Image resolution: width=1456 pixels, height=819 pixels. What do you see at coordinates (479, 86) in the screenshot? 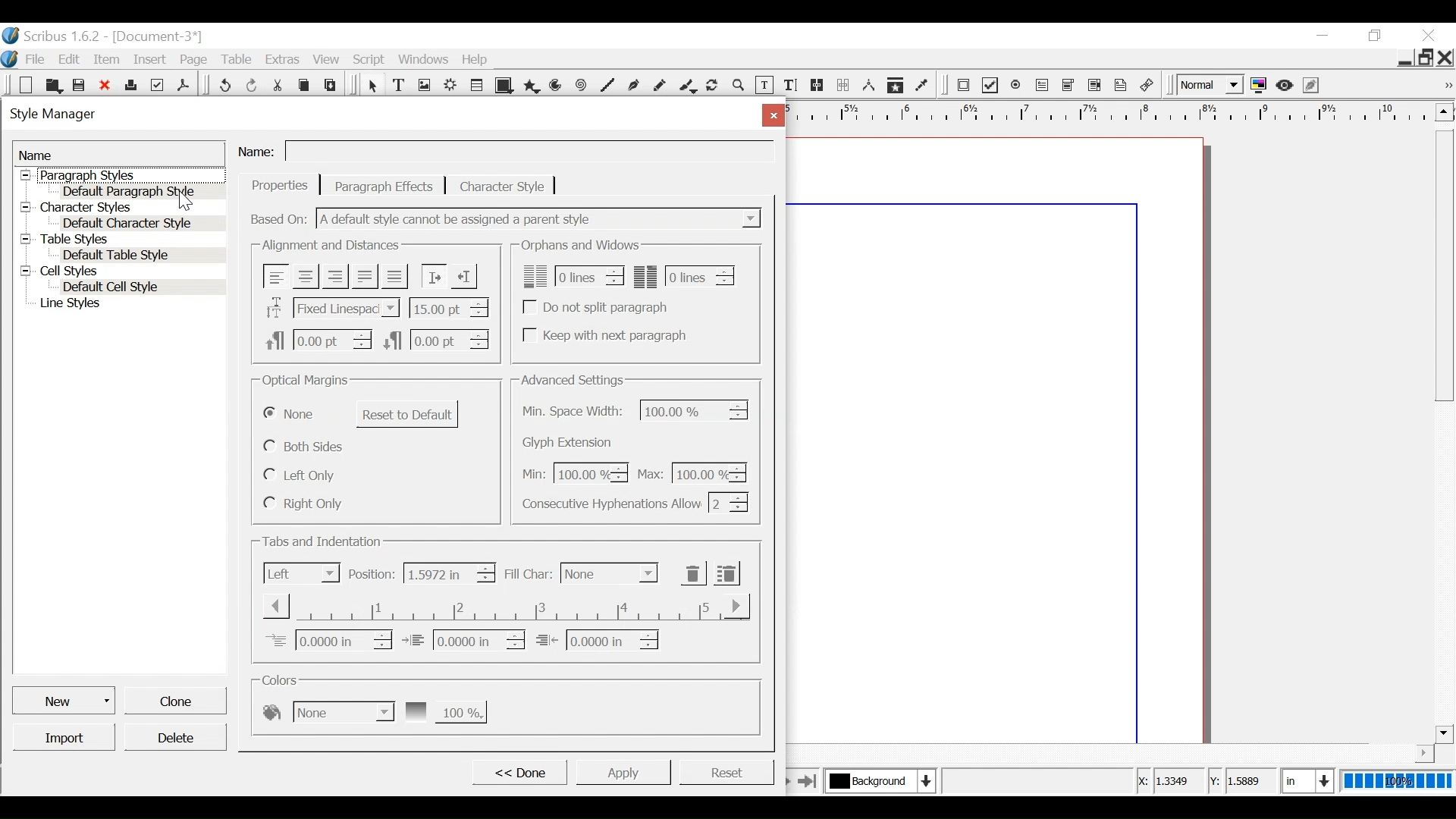
I see `Table` at bounding box center [479, 86].